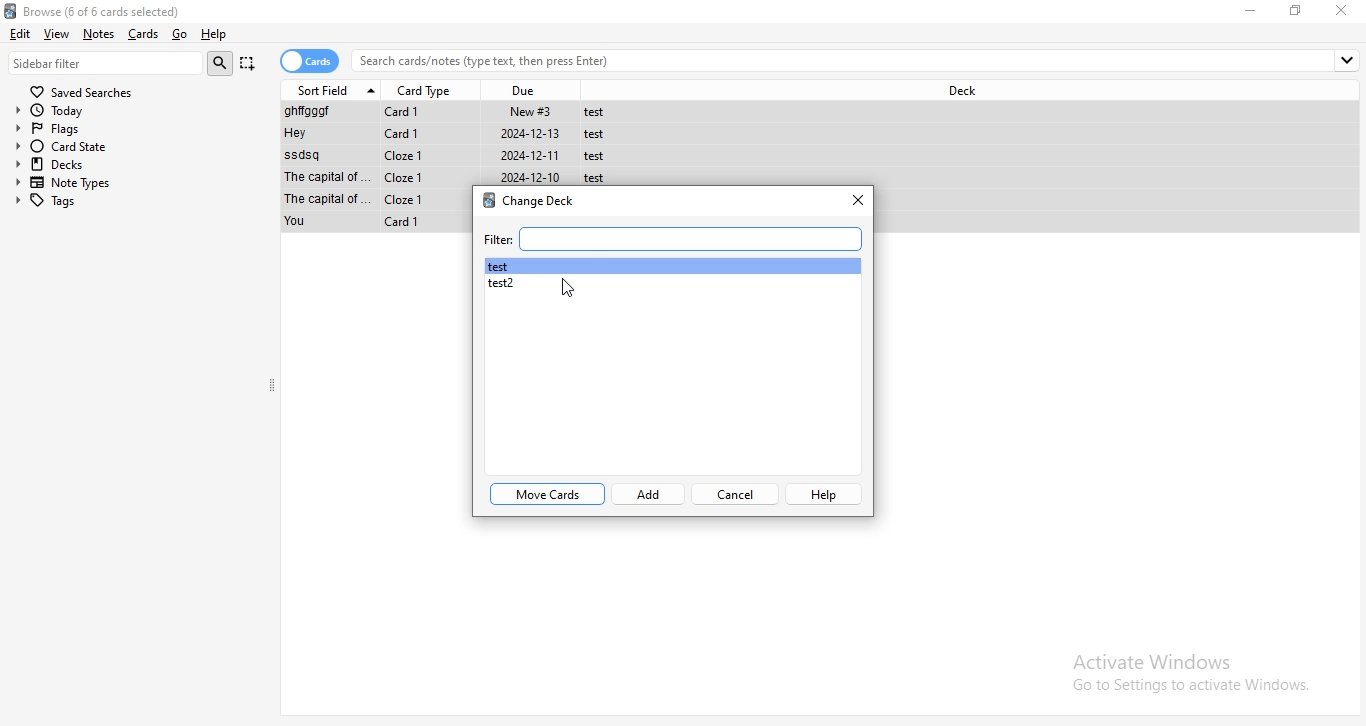  What do you see at coordinates (1343, 11) in the screenshot?
I see `close` at bounding box center [1343, 11].